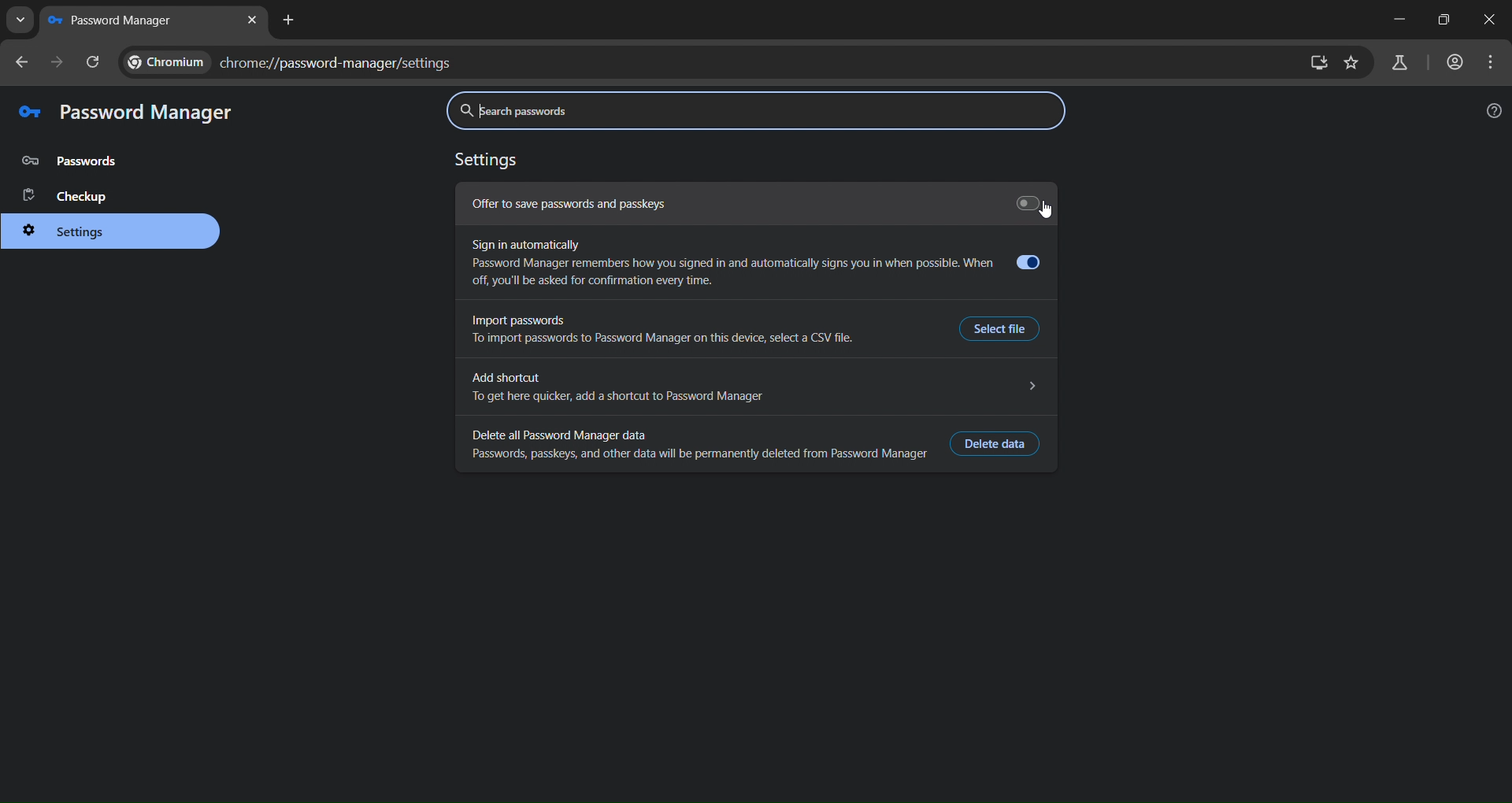  What do you see at coordinates (248, 20) in the screenshot?
I see `close tab` at bounding box center [248, 20].